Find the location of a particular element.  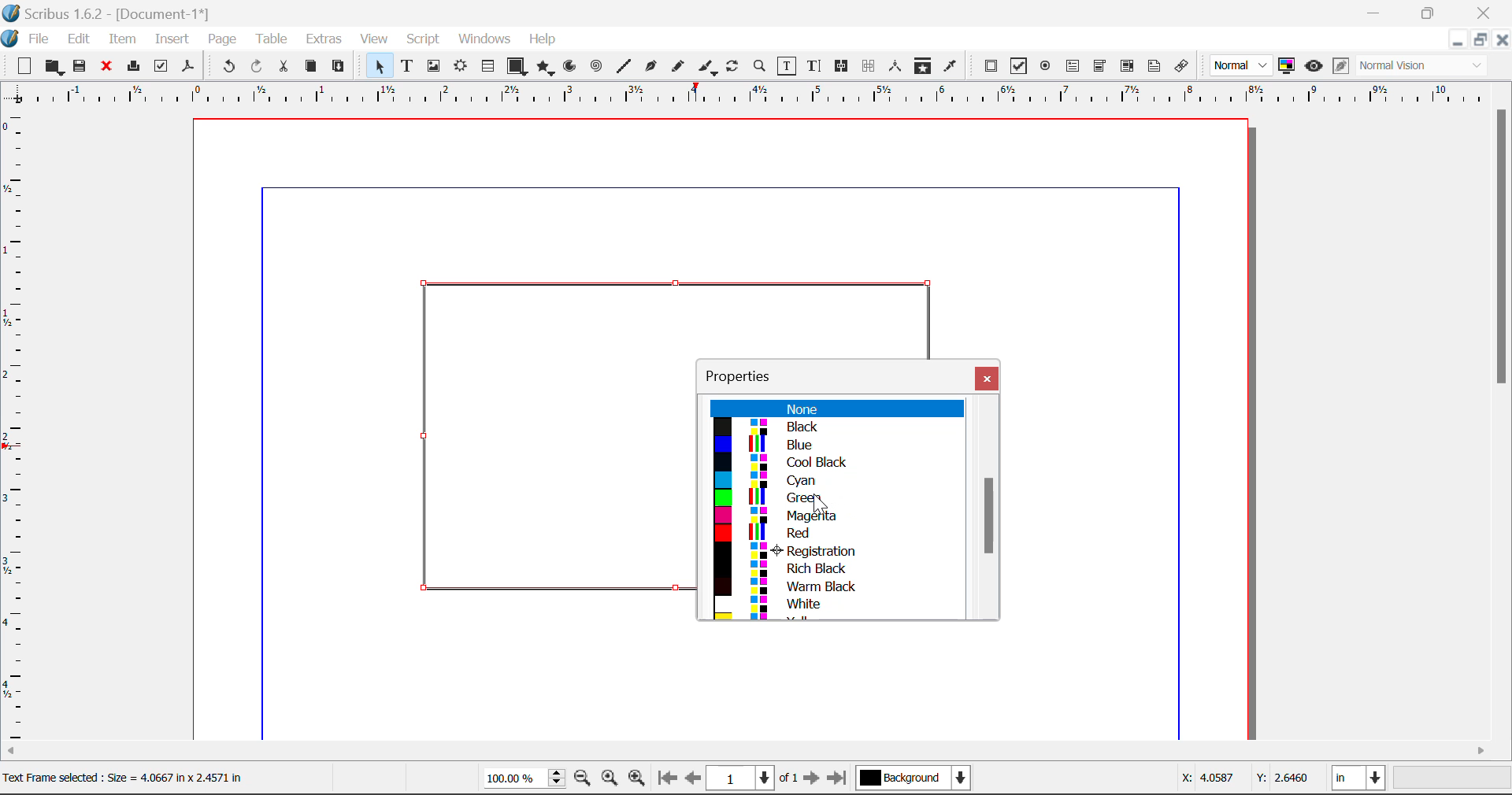

Save is located at coordinates (81, 66).